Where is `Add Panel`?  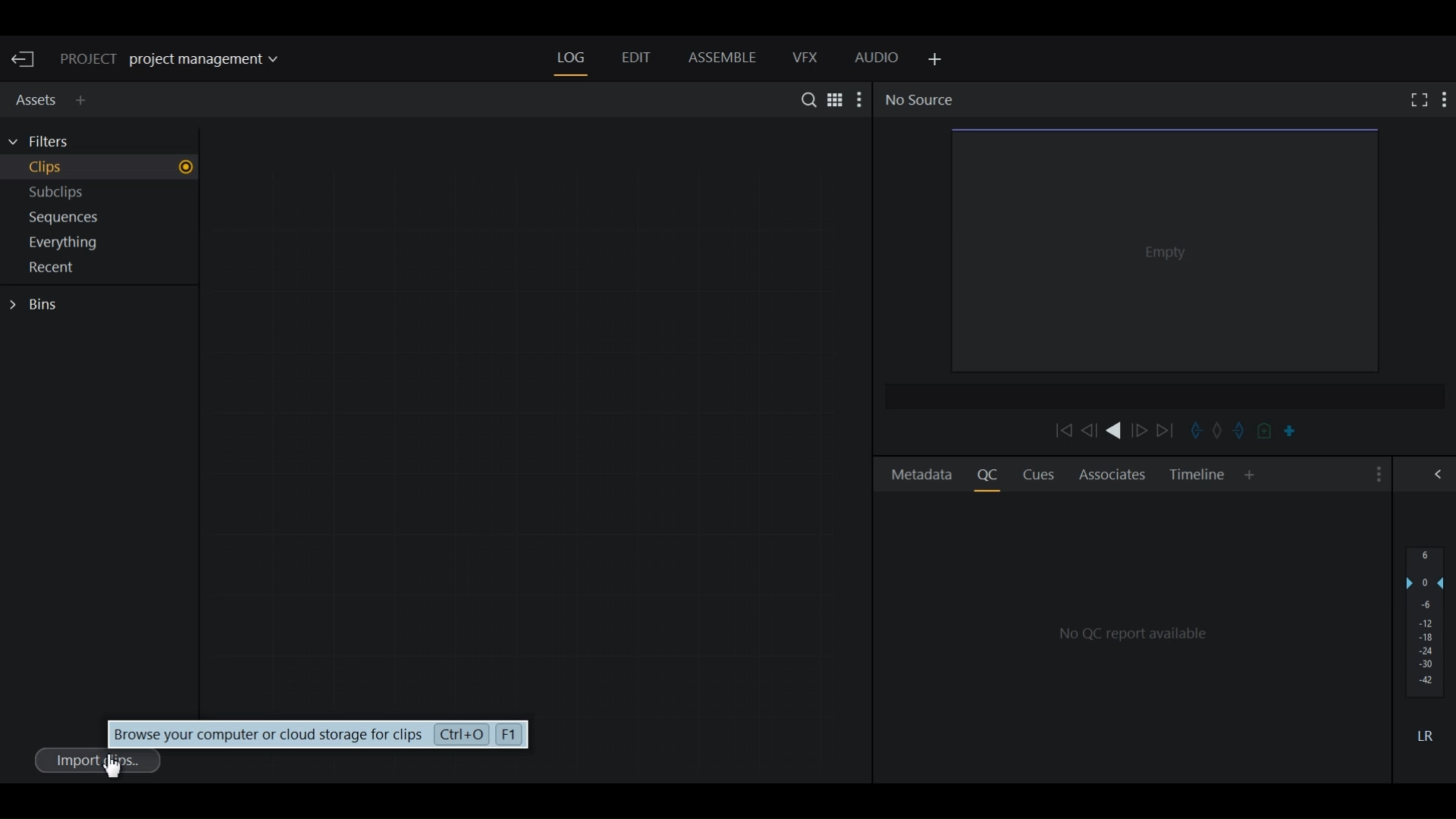 Add Panel is located at coordinates (84, 100).